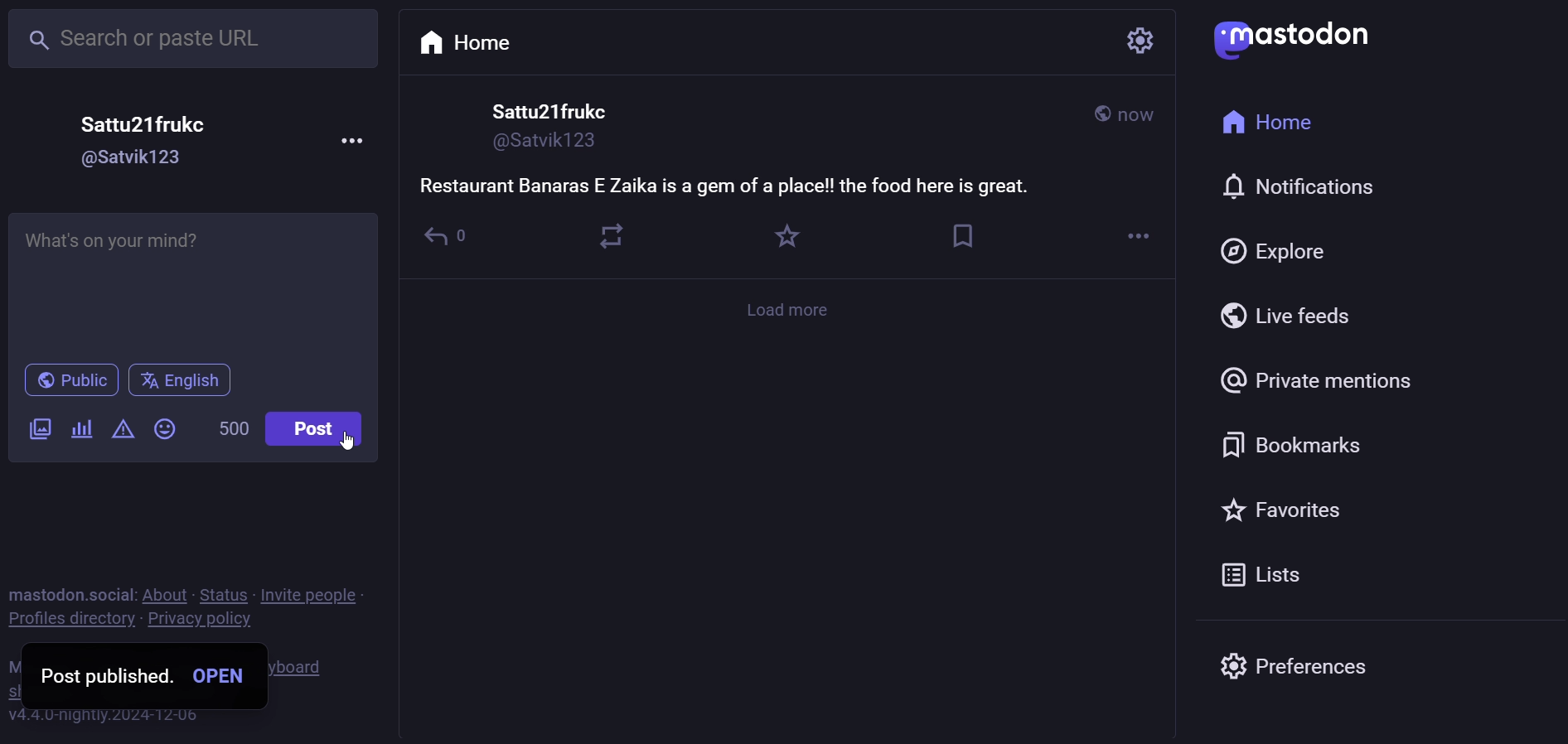 The image size is (1568, 744). What do you see at coordinates (1140, 239) in the screenshot?
I see `more` at bounding box center [1140, 239].